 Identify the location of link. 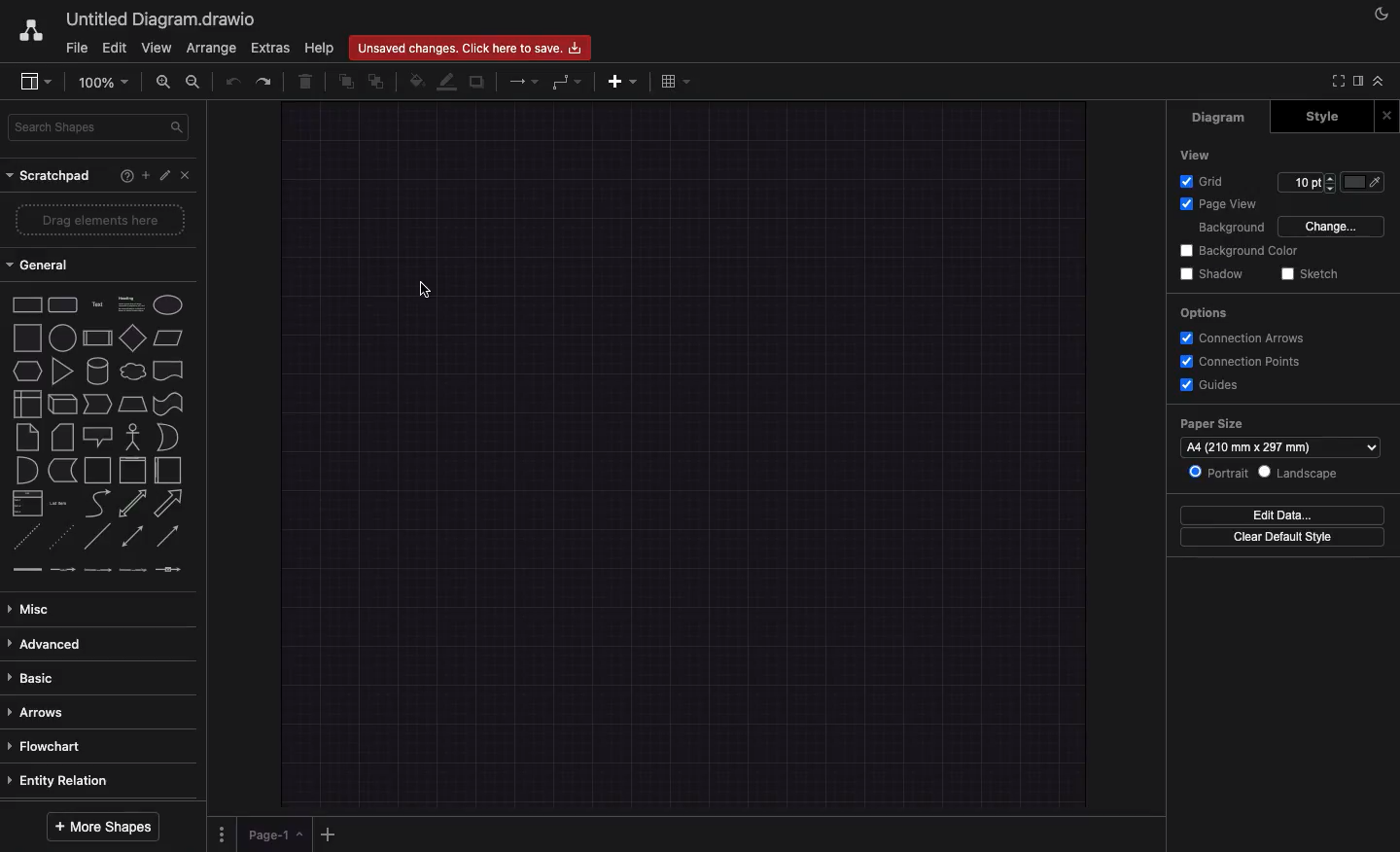
(25, 574).